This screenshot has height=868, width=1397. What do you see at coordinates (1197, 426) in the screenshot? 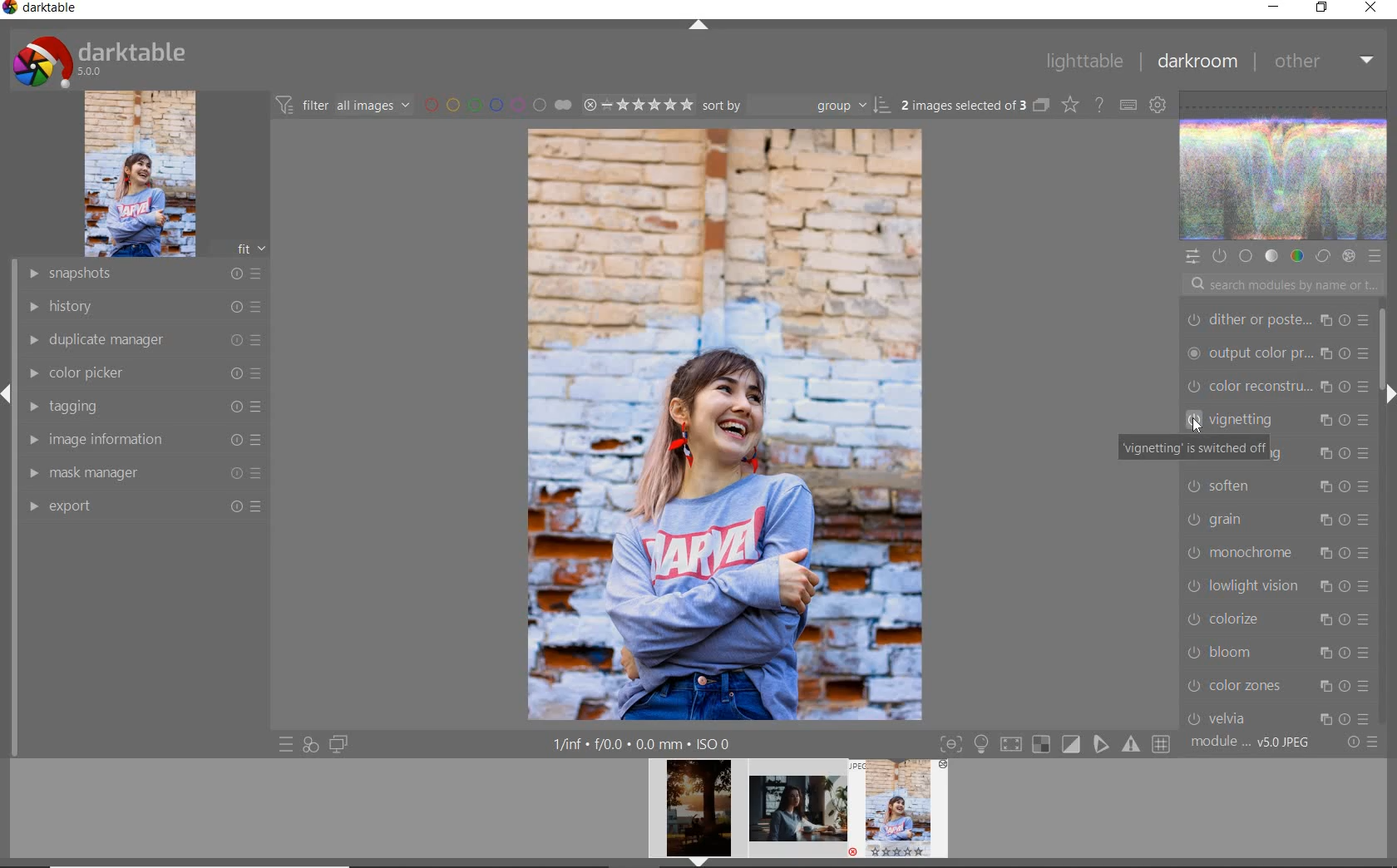
I see `cursor position` at bounding box center [1197, 426].